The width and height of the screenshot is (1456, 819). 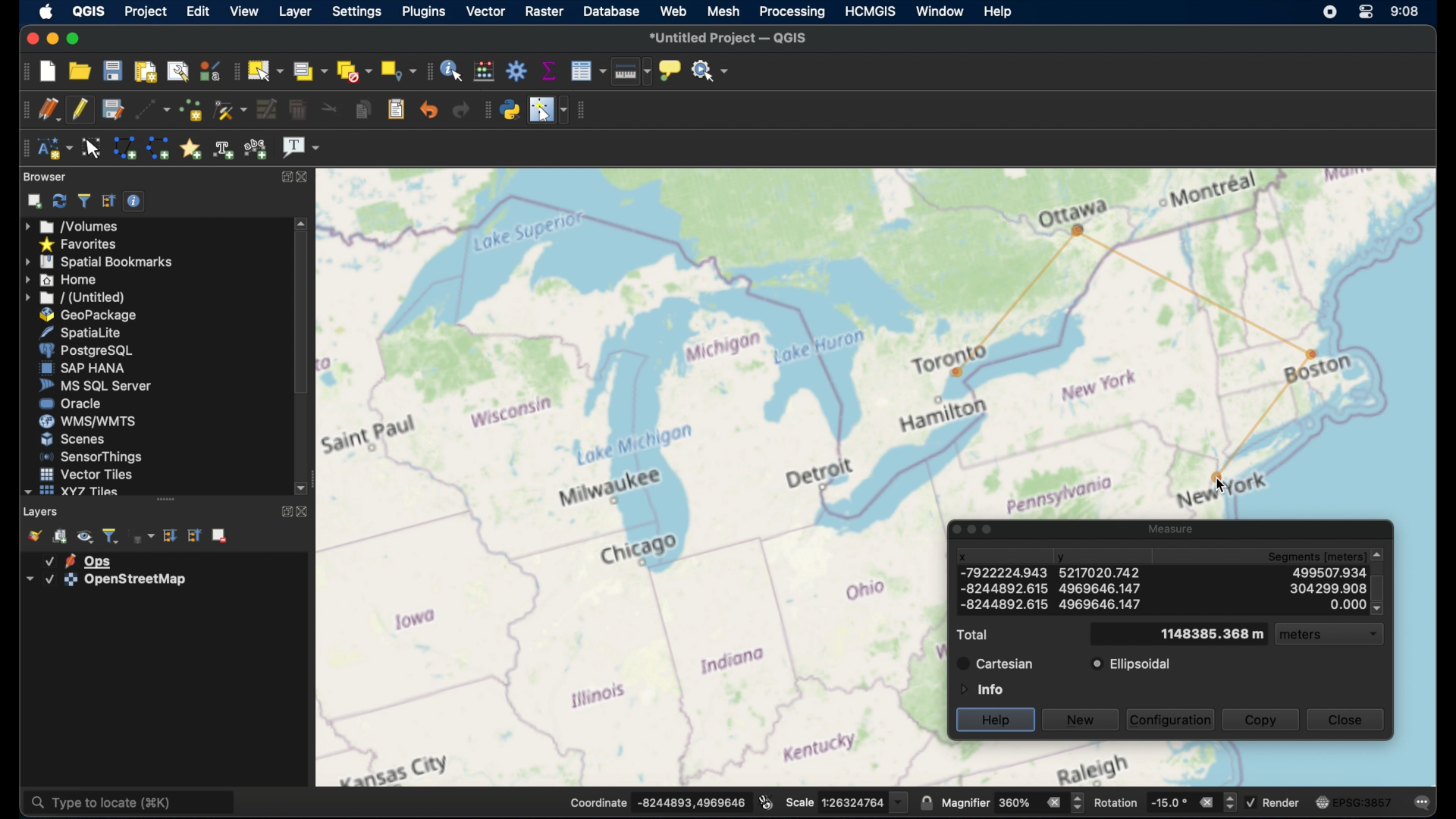 What do you see at coordinates (356, 13) in the screenshot?
I see `settings` at bounding box center [356, 13].